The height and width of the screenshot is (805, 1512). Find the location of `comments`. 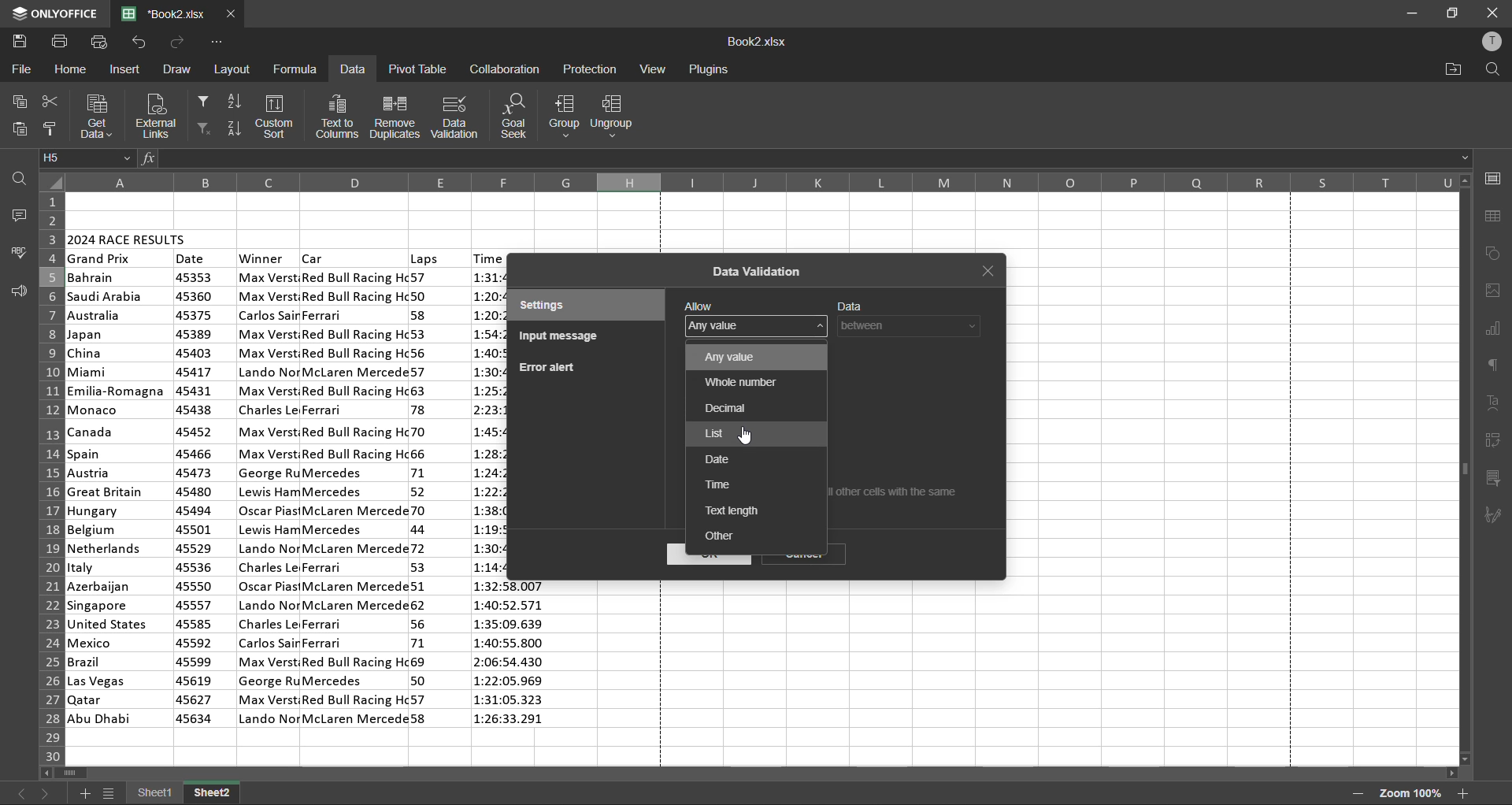

comments is located at coordinates (16, 215).